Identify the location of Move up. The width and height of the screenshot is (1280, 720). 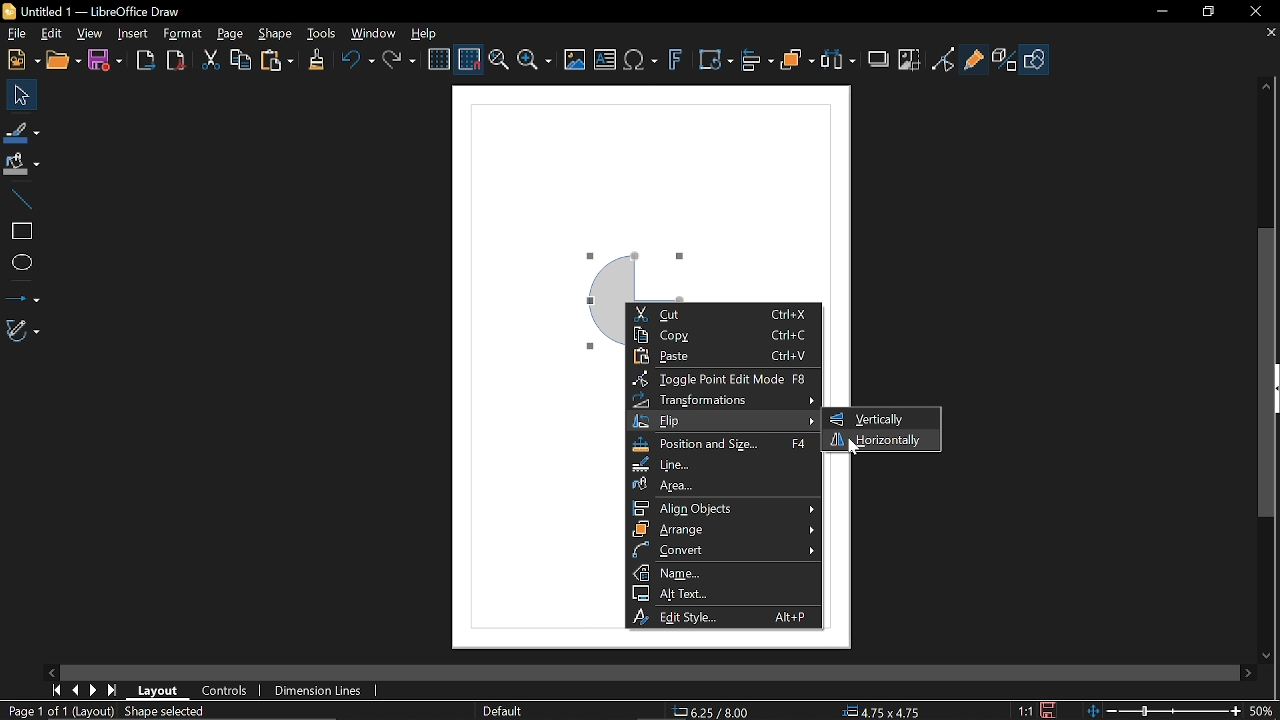
(1271, 86).